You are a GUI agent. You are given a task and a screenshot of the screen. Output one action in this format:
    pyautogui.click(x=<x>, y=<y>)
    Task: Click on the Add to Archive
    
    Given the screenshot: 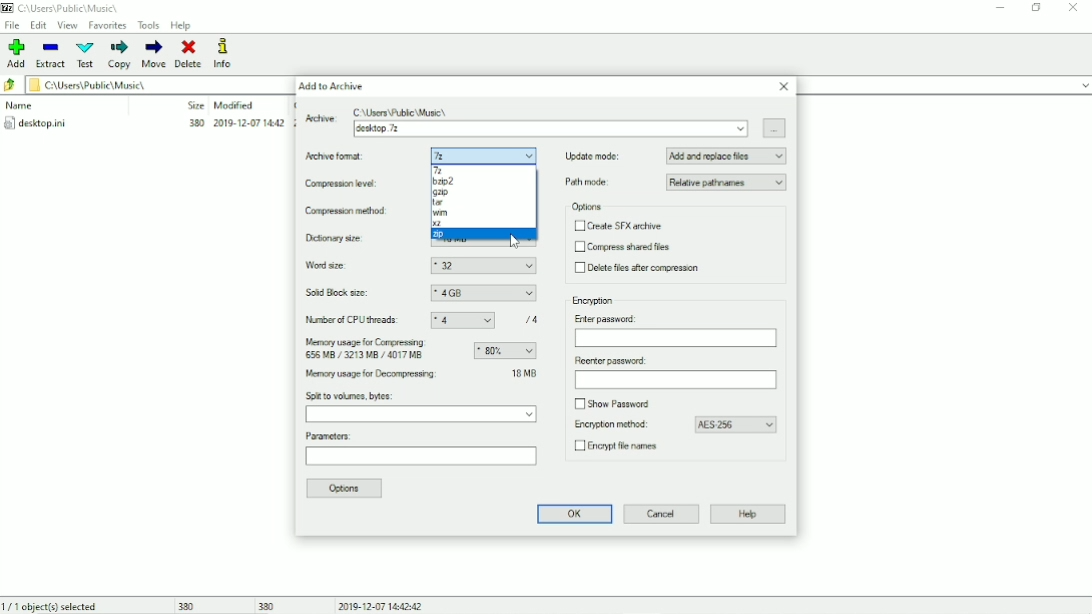 What is the action you would take?
    pyautogui.click(x=331, y=86)
    